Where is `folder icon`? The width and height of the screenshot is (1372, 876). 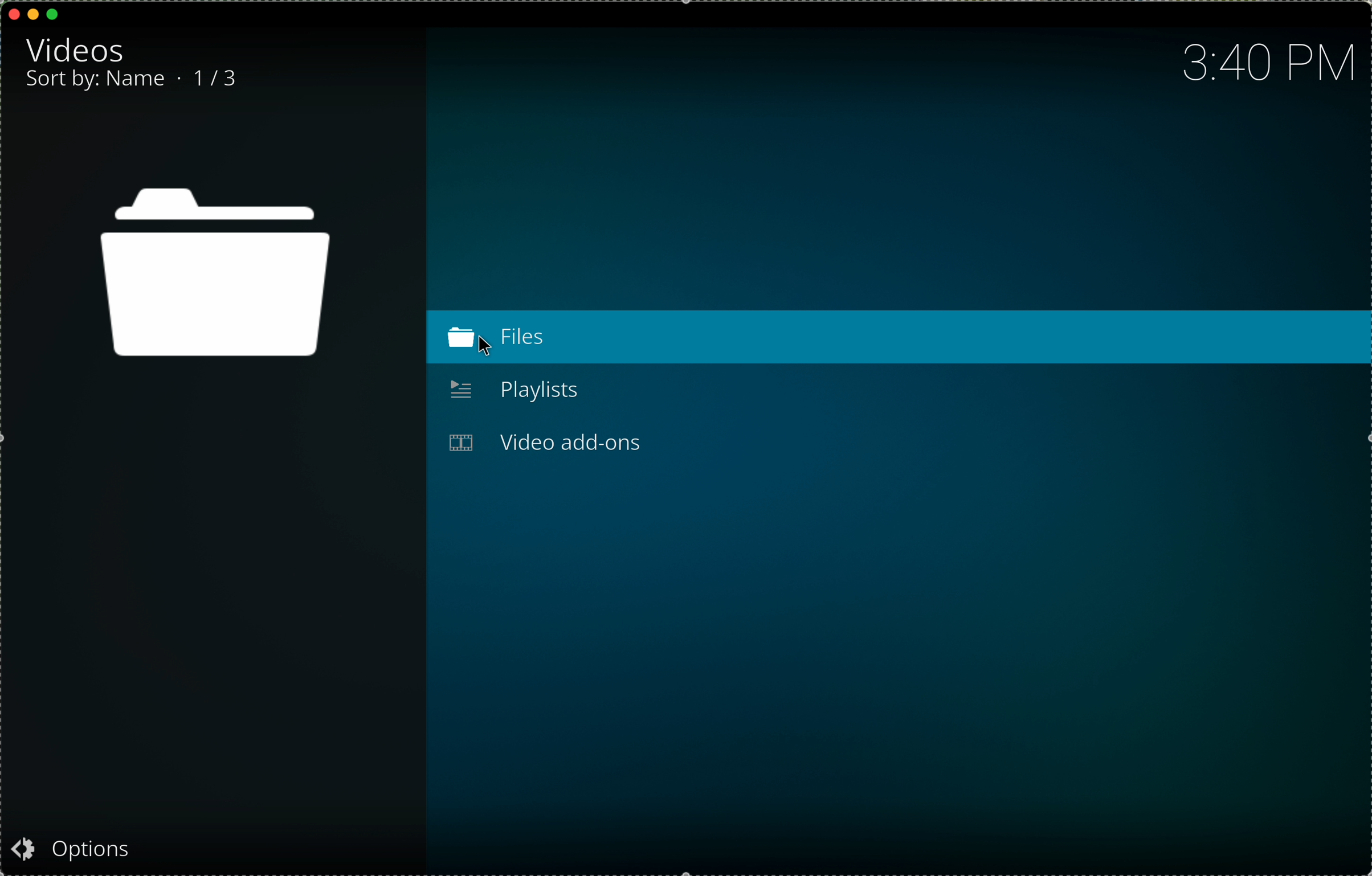 folder icon is located at coordinates (215, 275).